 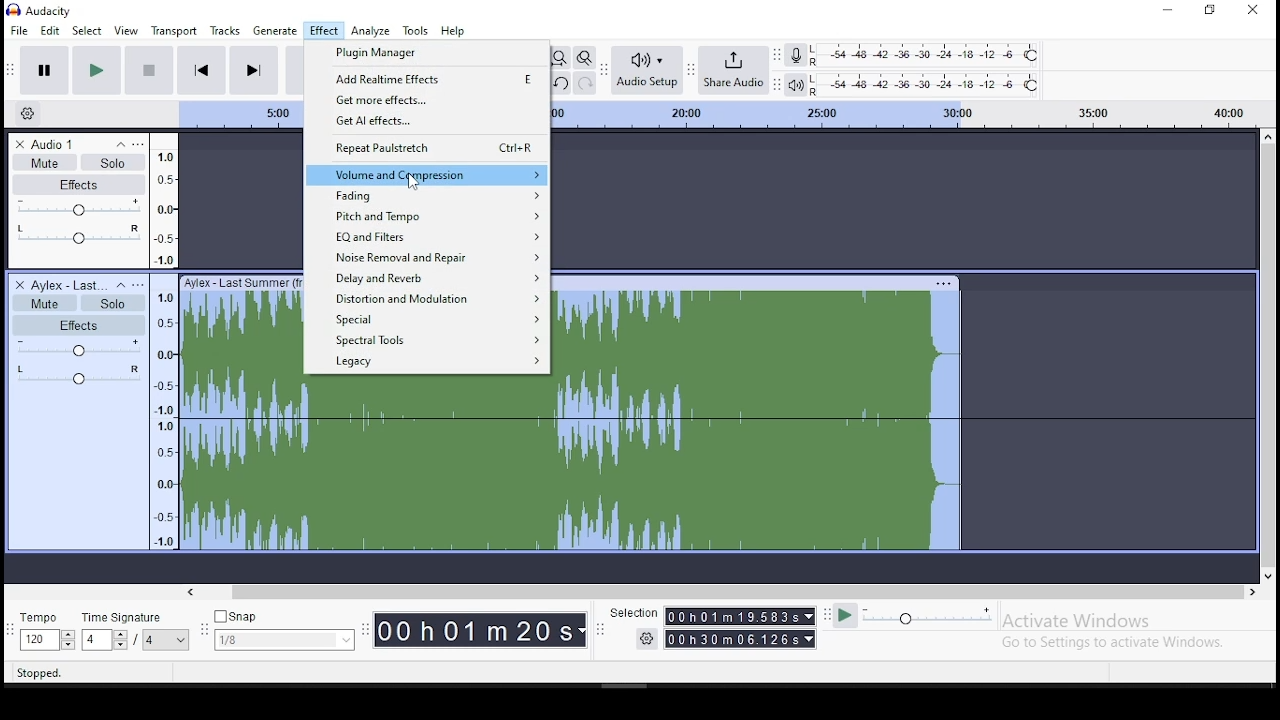 I want to click on undo, so click(x=559, y=83).